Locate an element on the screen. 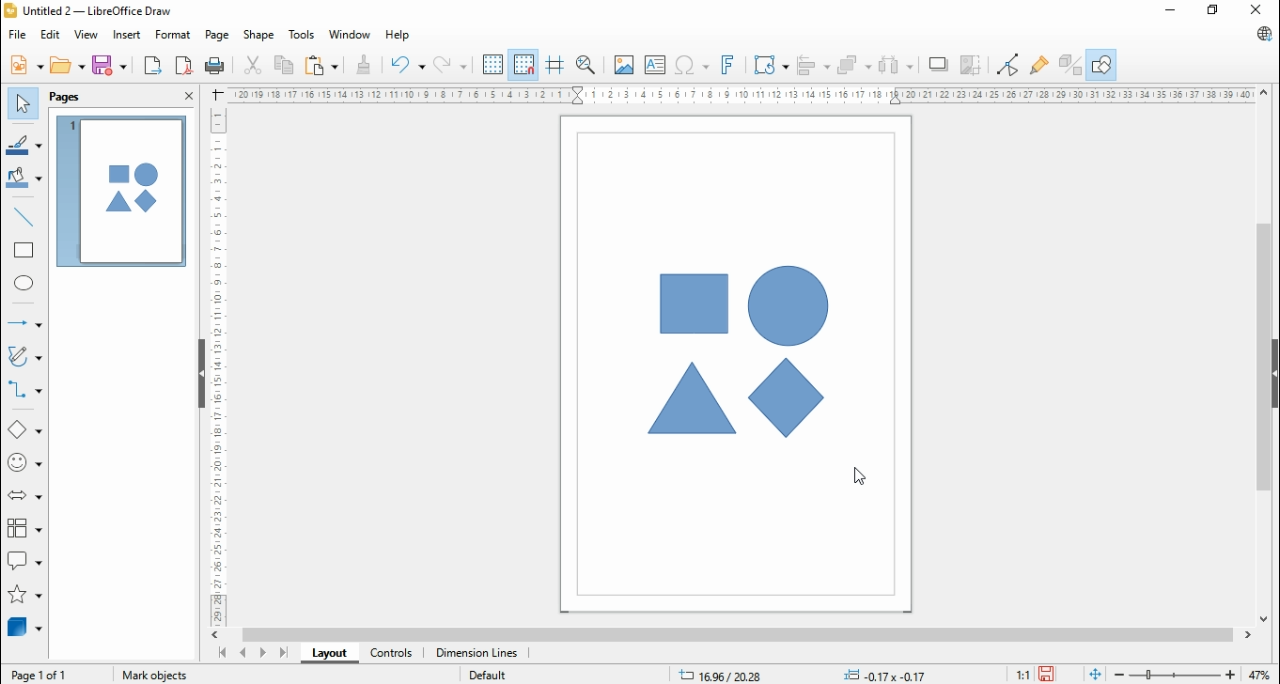  controls is located at coordinates (390, 654).